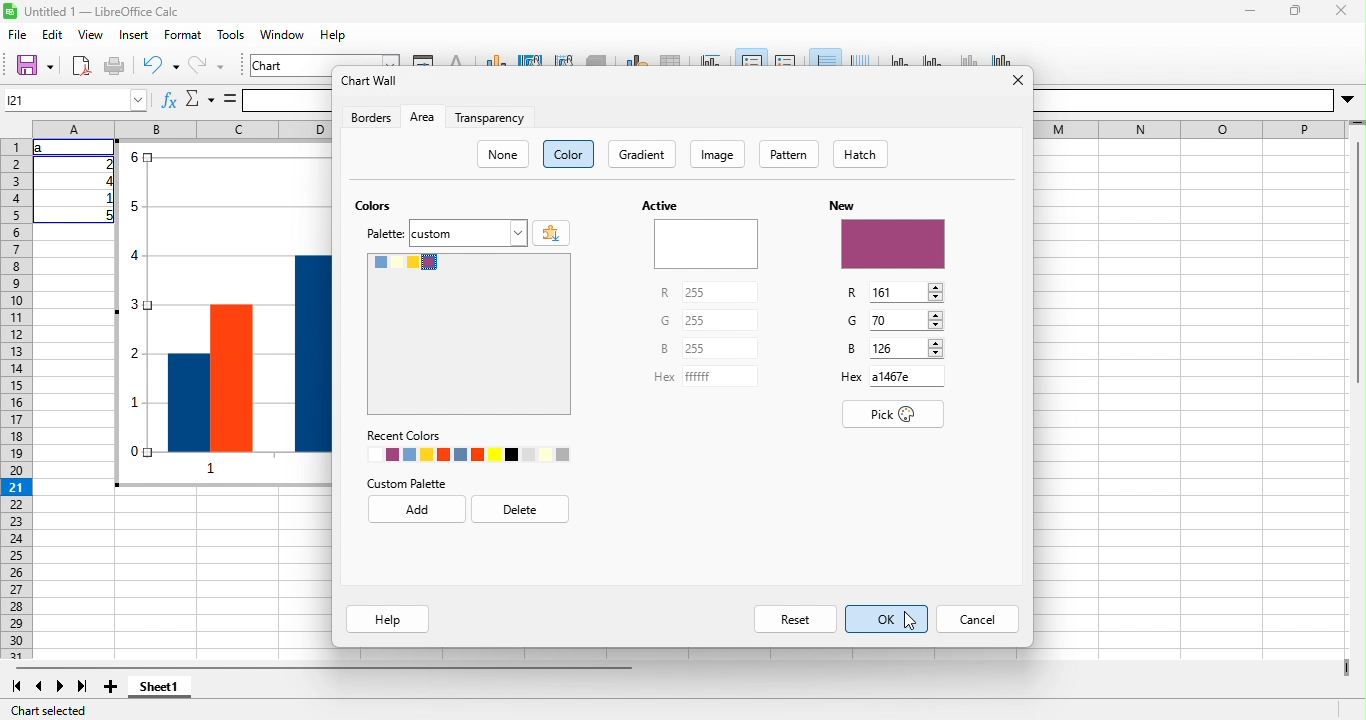 The image size is (1366, 720). I want to click on formula bar, so click(287, 101).